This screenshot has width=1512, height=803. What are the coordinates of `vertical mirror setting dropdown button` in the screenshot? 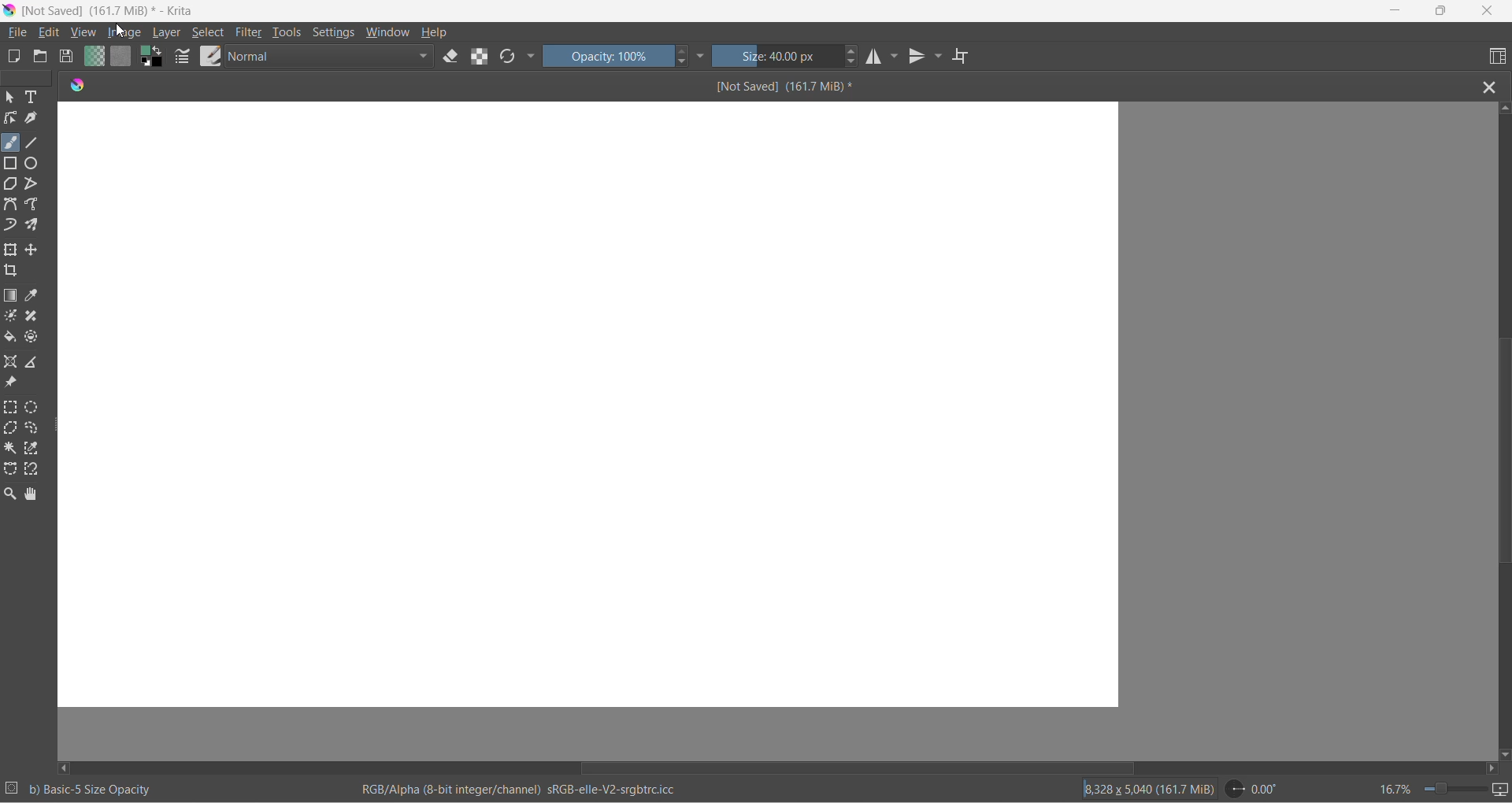 It's located at (939, 58).